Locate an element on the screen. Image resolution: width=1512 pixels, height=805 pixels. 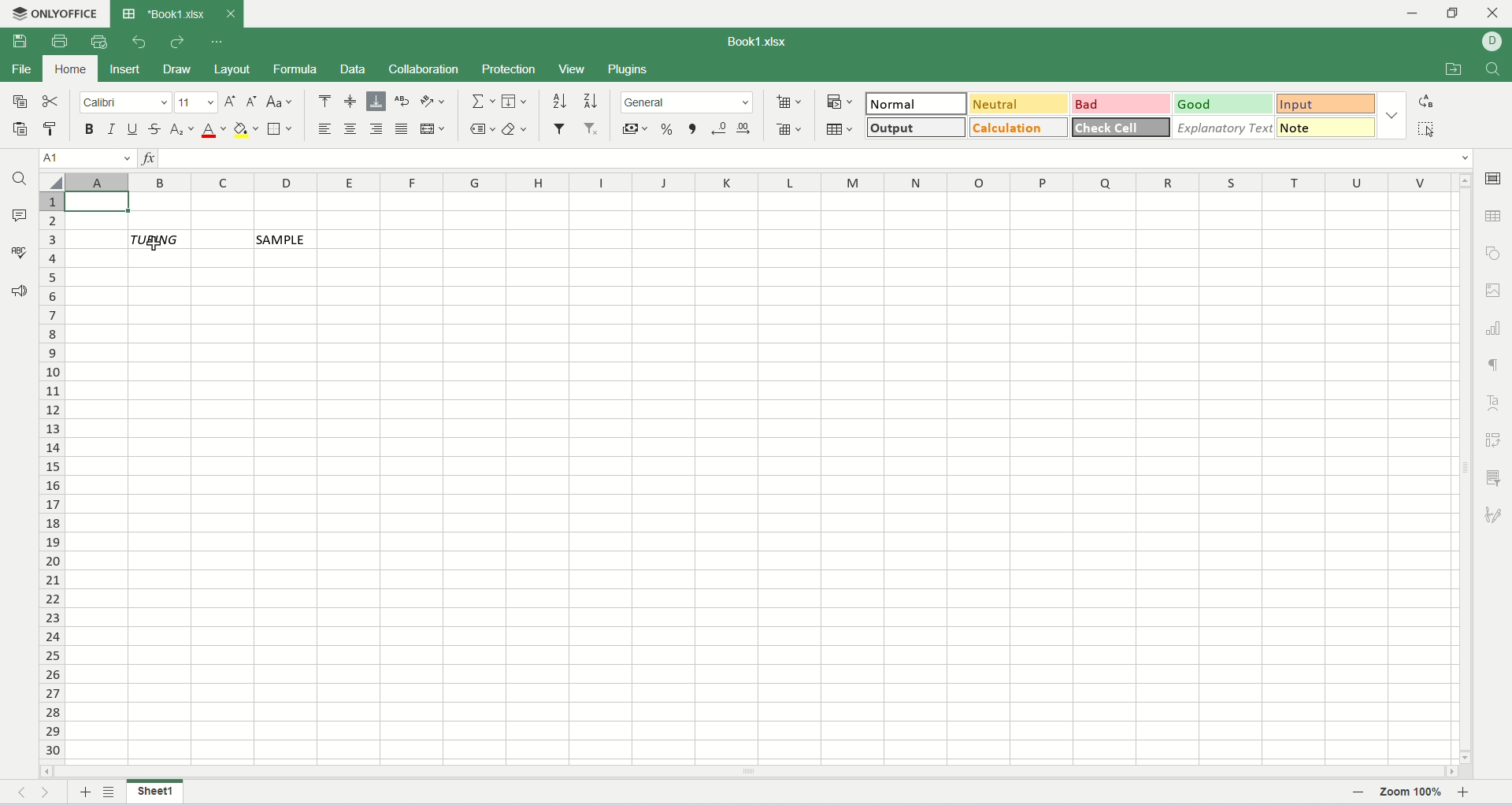
named ranges is located at coordinates (484, 129).